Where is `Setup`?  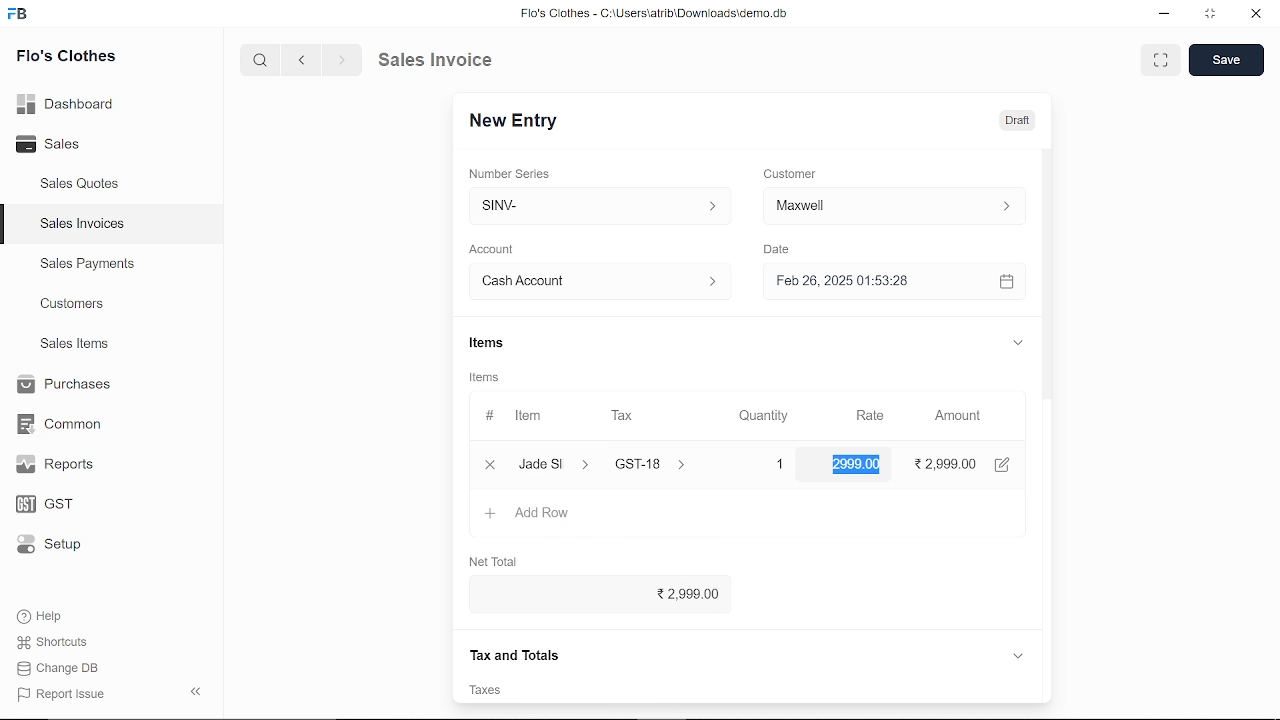
Setup is located at coordinates (63, 546).